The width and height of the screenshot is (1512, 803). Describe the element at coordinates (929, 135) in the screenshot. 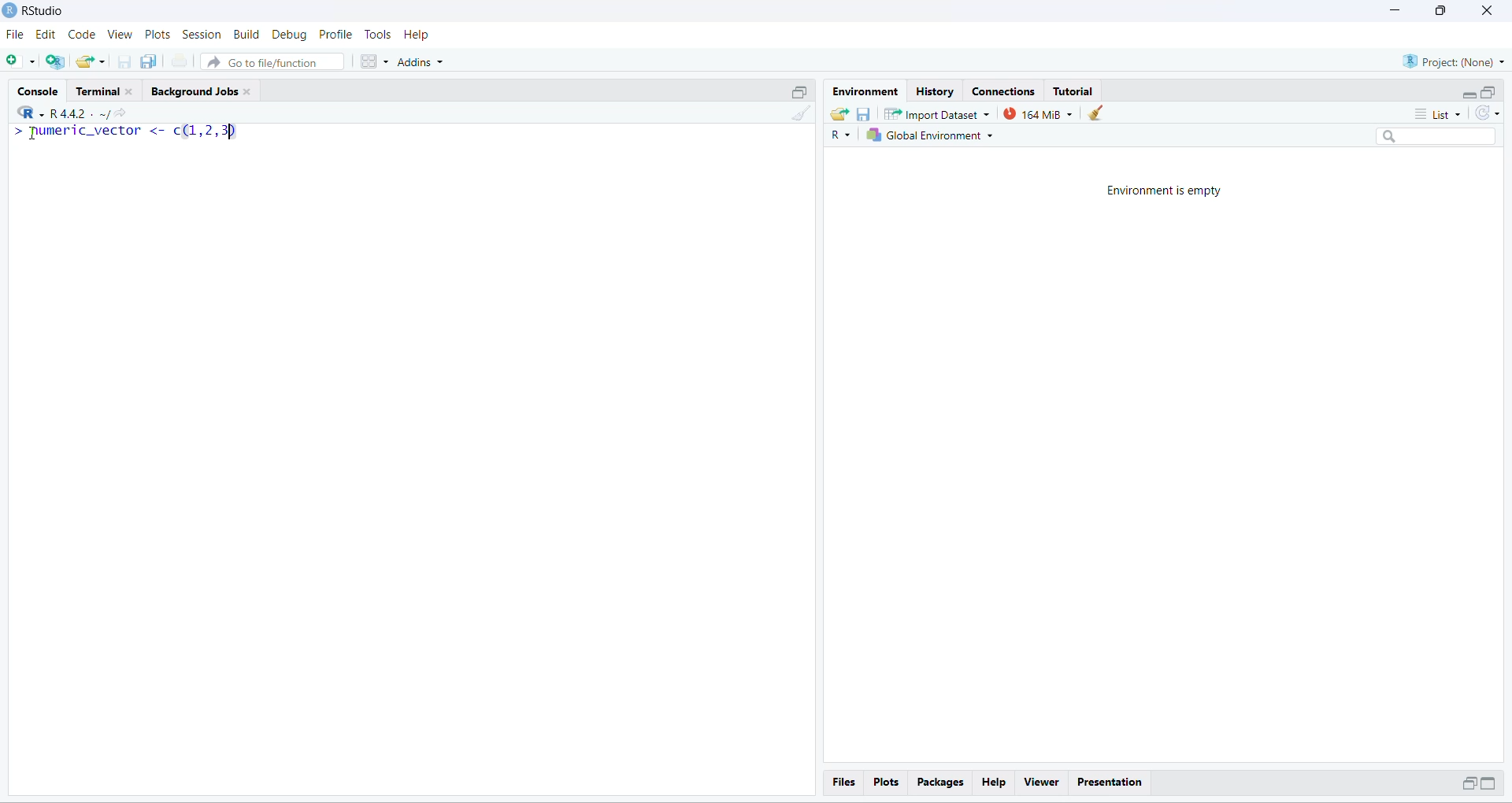

I see `global Environment` at that location.